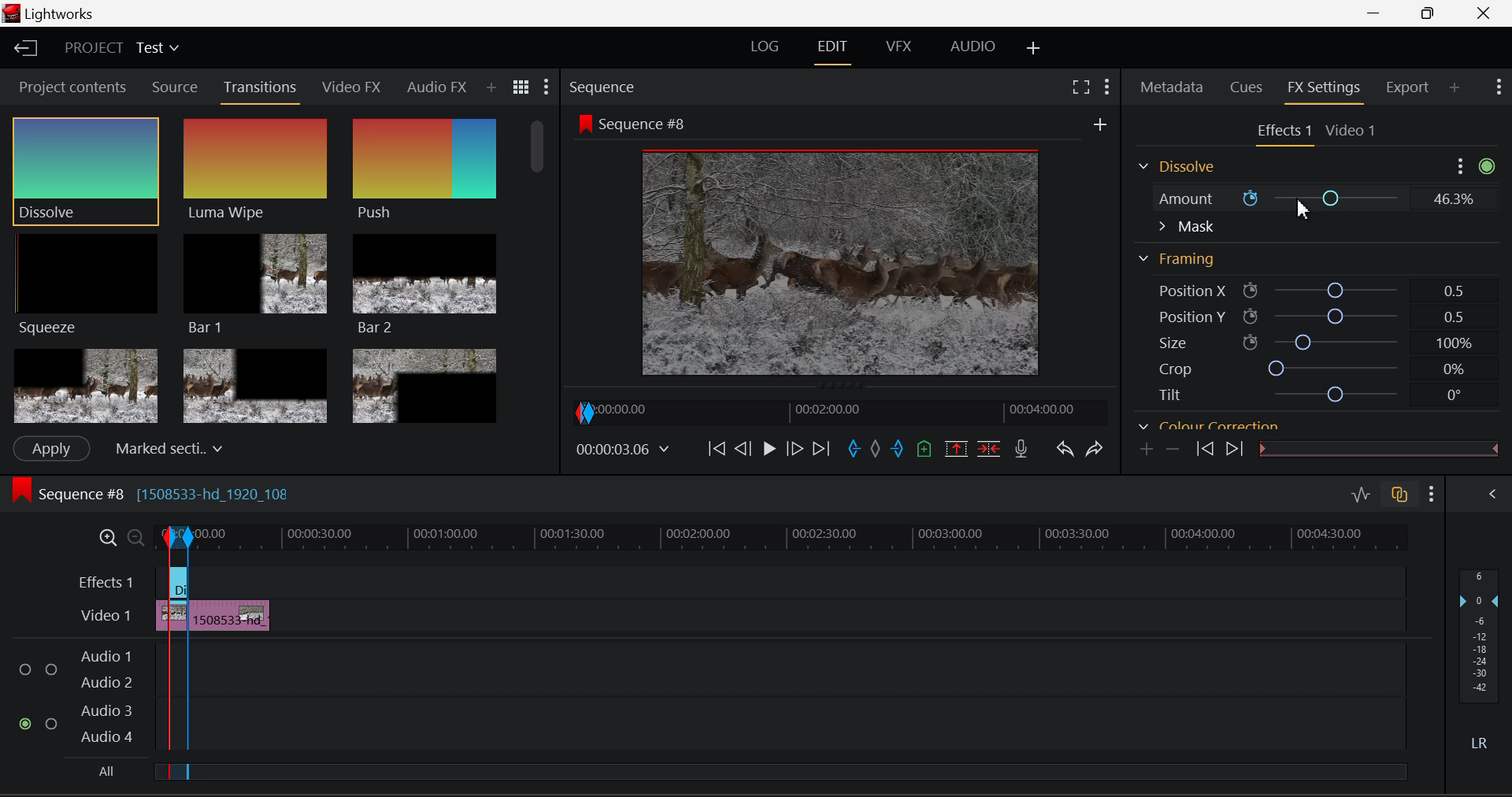 The width and height of the screenshot is (1512, 797). What do you see at coordinates (1204, 451) in the screenshot?
I see `Previous keyframe` at bounding box center [1204, 451].